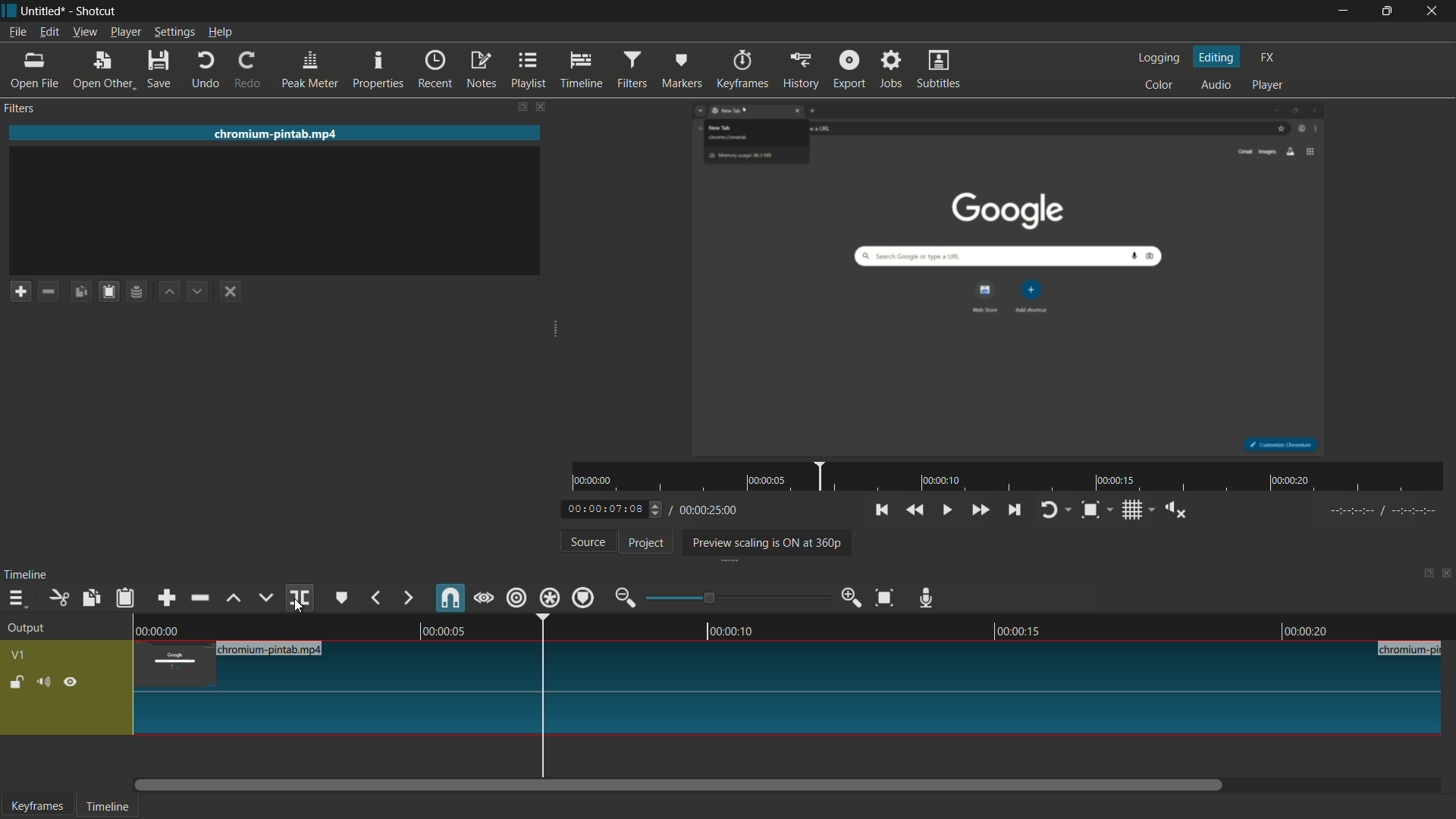 This screenshot has height=819, width=1456. I want to click on zoom timeline to fit, so click(888, 597).